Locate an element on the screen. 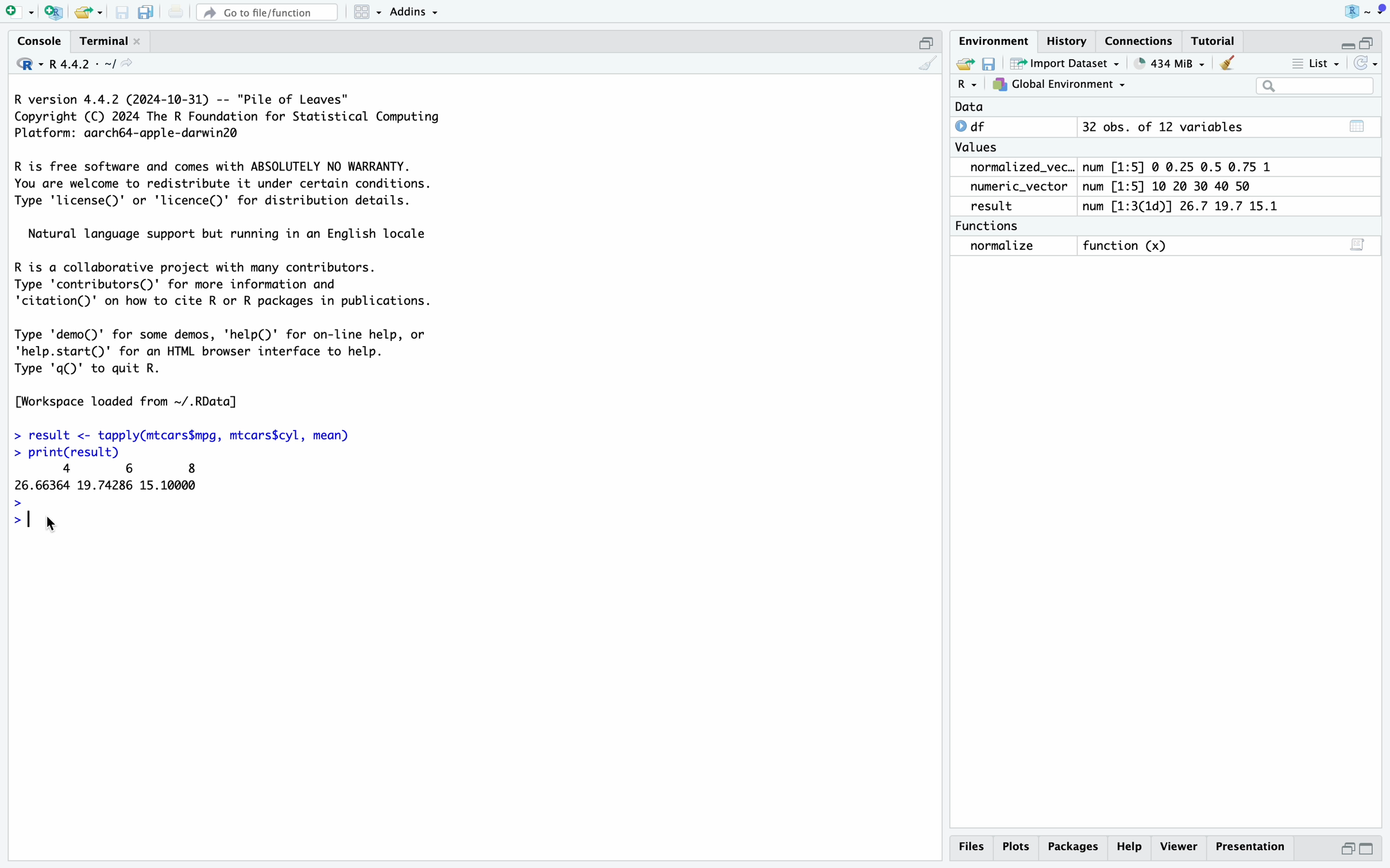  Create a project is located at coordinates (53, 12).